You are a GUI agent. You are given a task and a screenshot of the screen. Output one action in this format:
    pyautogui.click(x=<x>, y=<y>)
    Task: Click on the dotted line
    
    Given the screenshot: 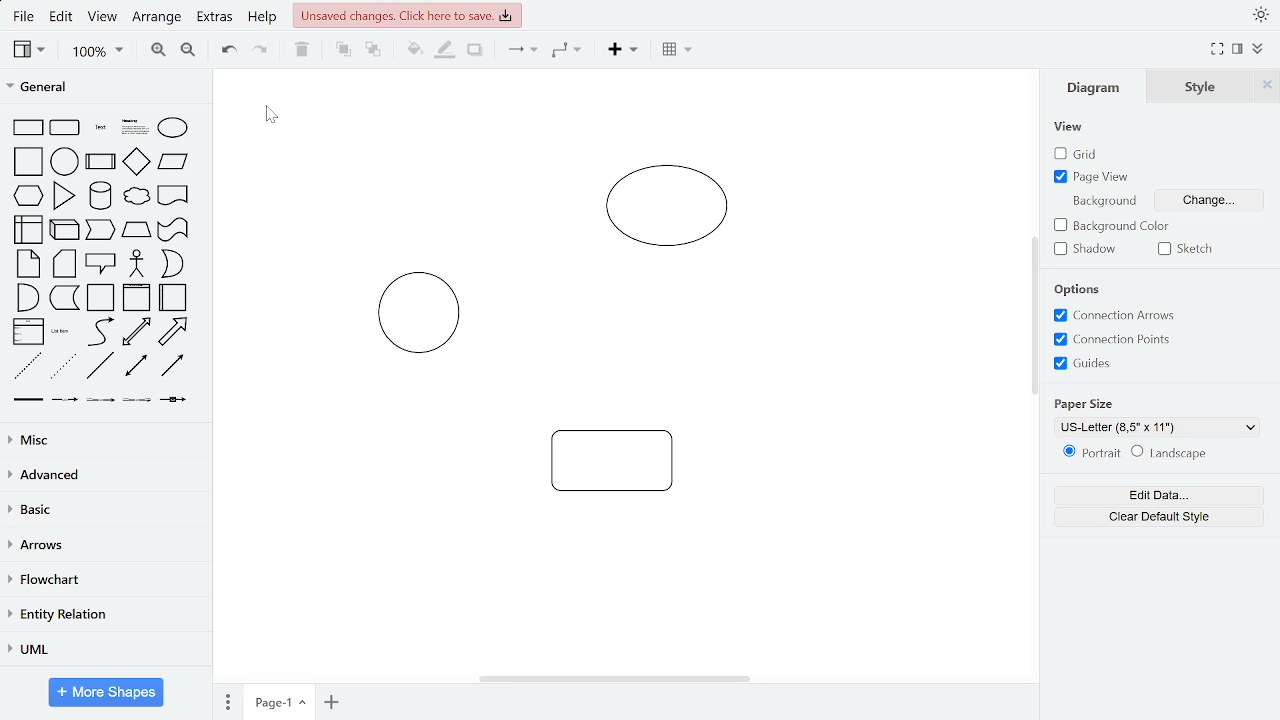 What is the action you would take?
    pyautogui.click(x=64, y=367)
    